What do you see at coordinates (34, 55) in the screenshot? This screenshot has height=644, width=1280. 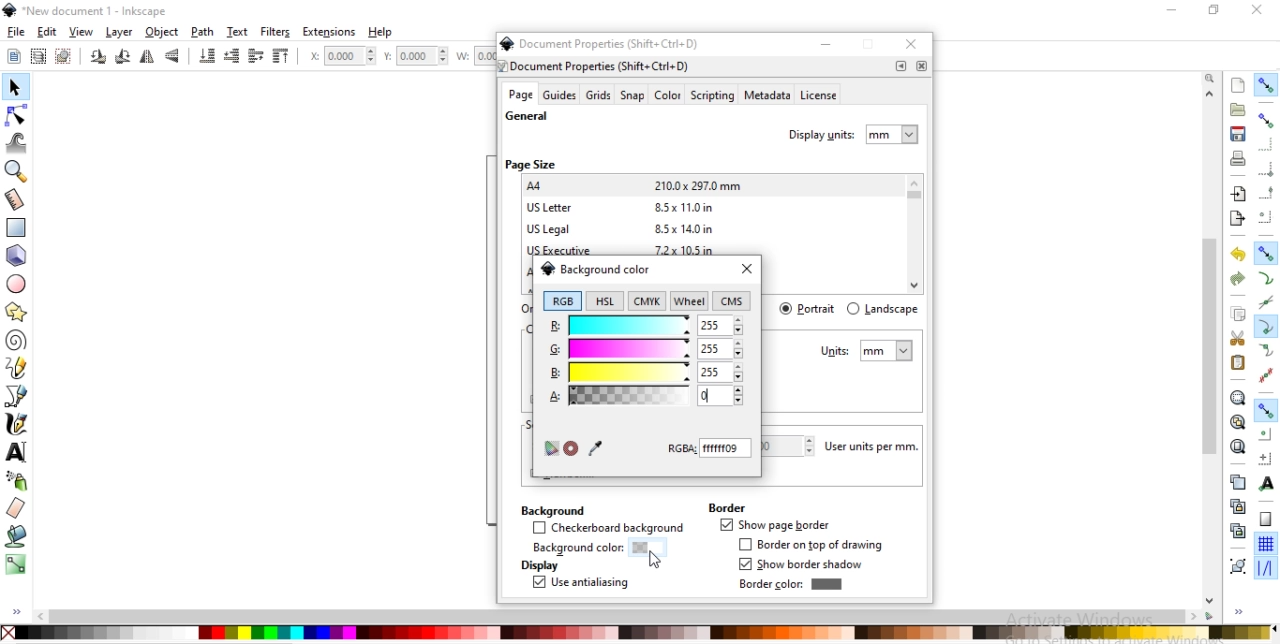 I see `select all objects in all visible and unlocked layer` at bounding box center [34, 55].